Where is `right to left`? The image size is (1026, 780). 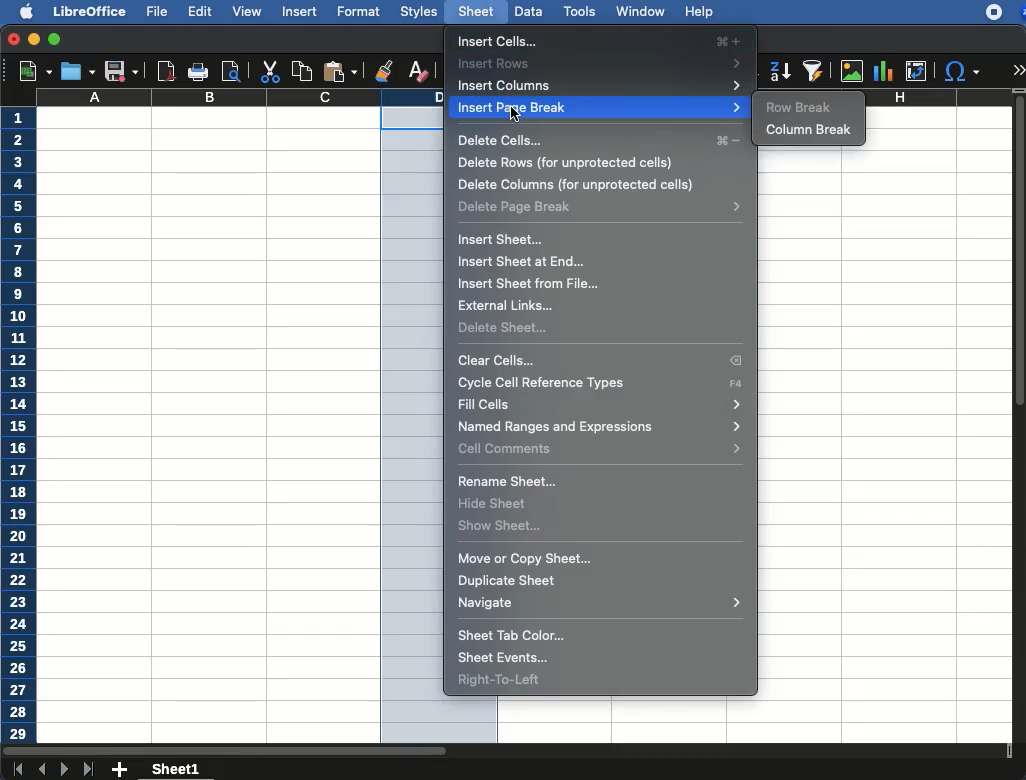 right to left is located at coordinates (503, 683).